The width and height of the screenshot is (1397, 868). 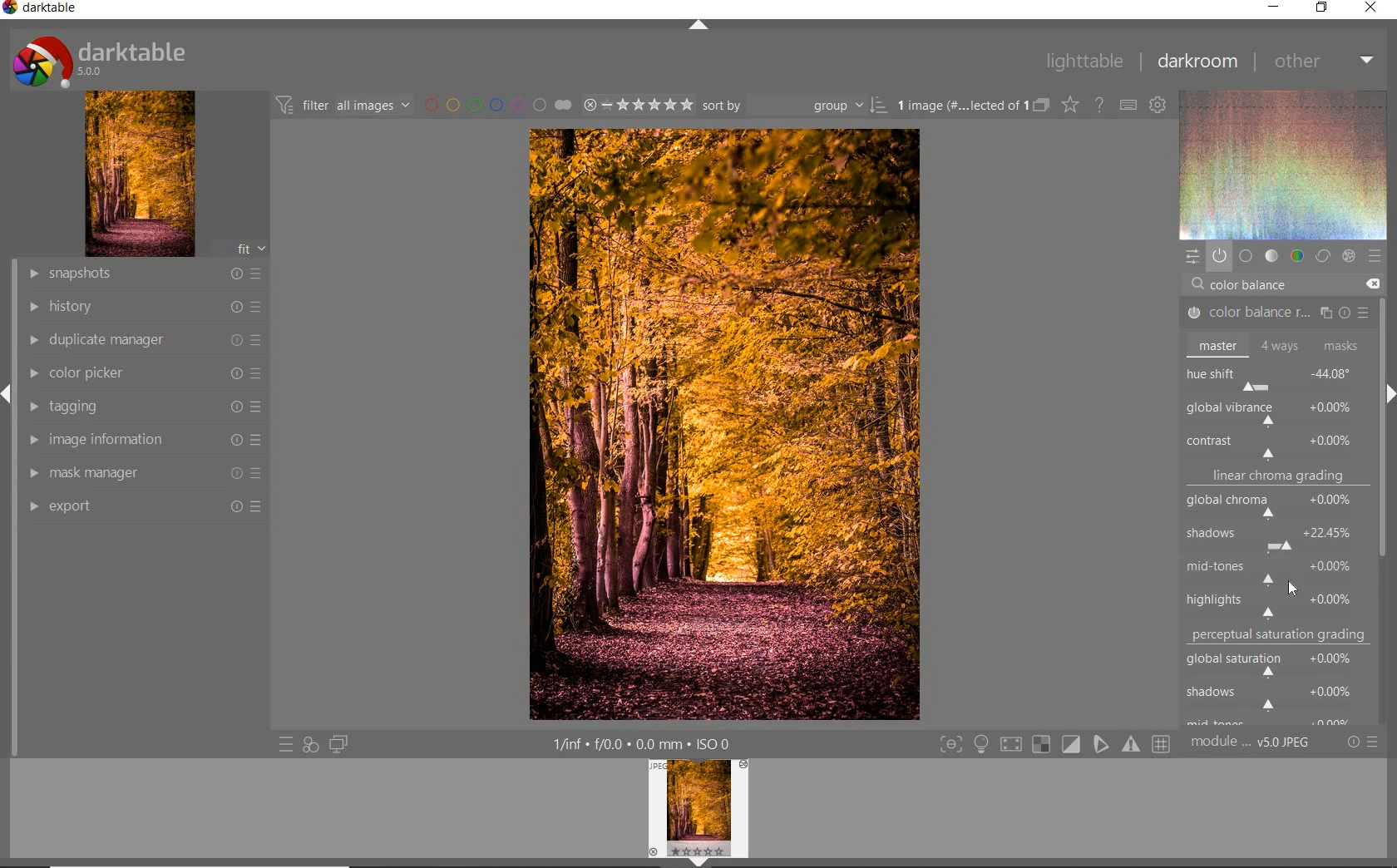 I want to click on wave form, so click(x=1282, y=165).